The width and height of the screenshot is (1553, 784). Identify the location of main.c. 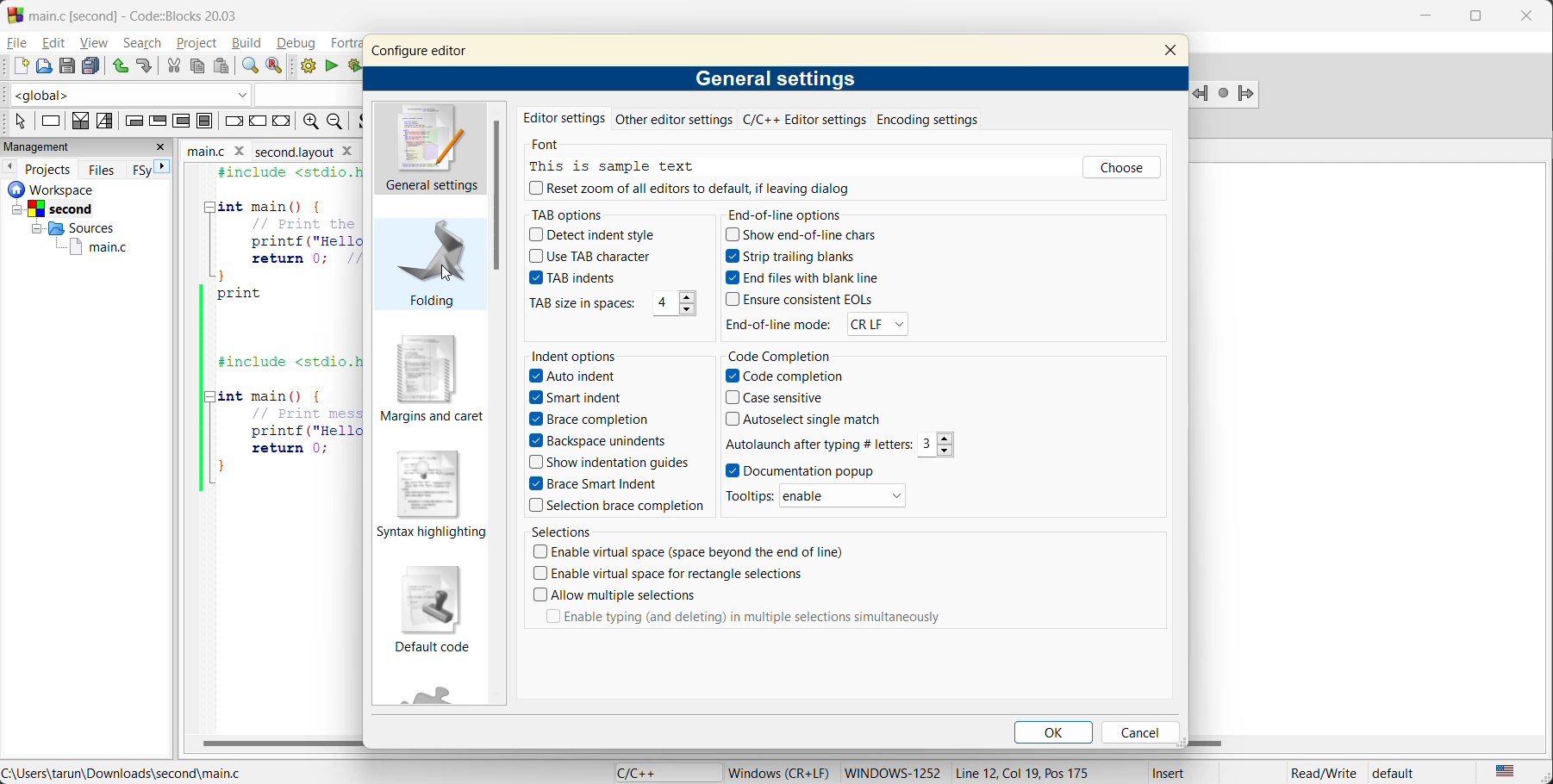
(96, 248).